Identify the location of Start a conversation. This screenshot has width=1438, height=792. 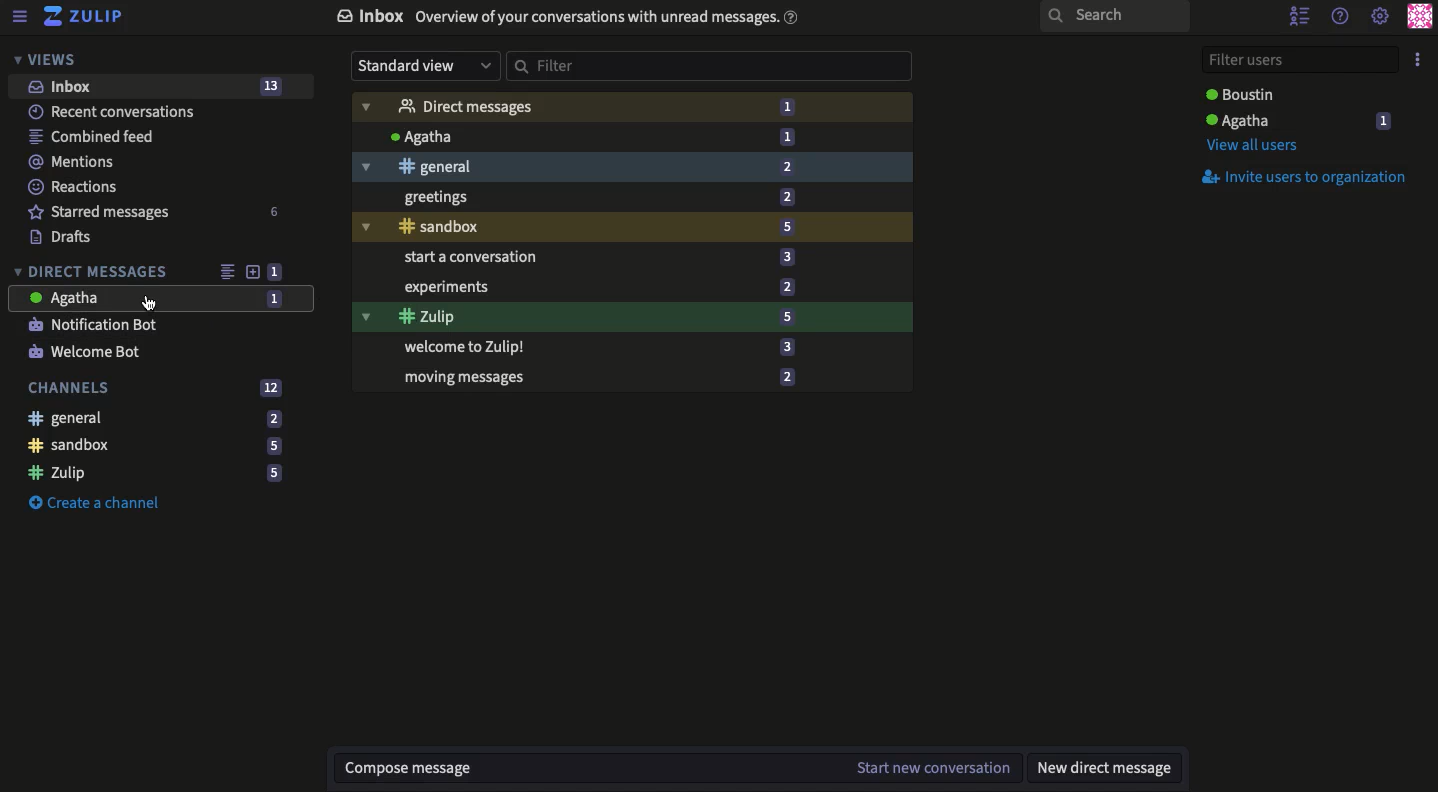
(631, 258).